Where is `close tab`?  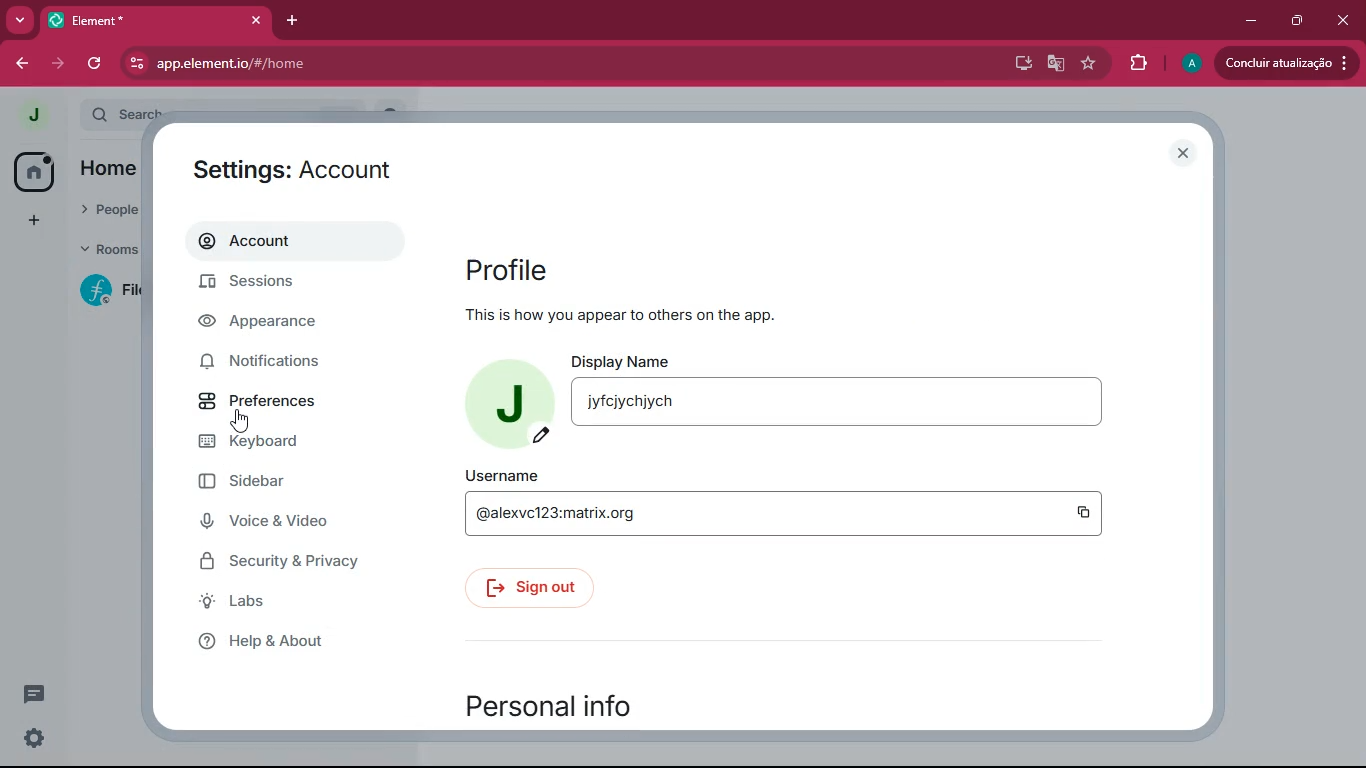 close tab is located at coordinates (256, 20).